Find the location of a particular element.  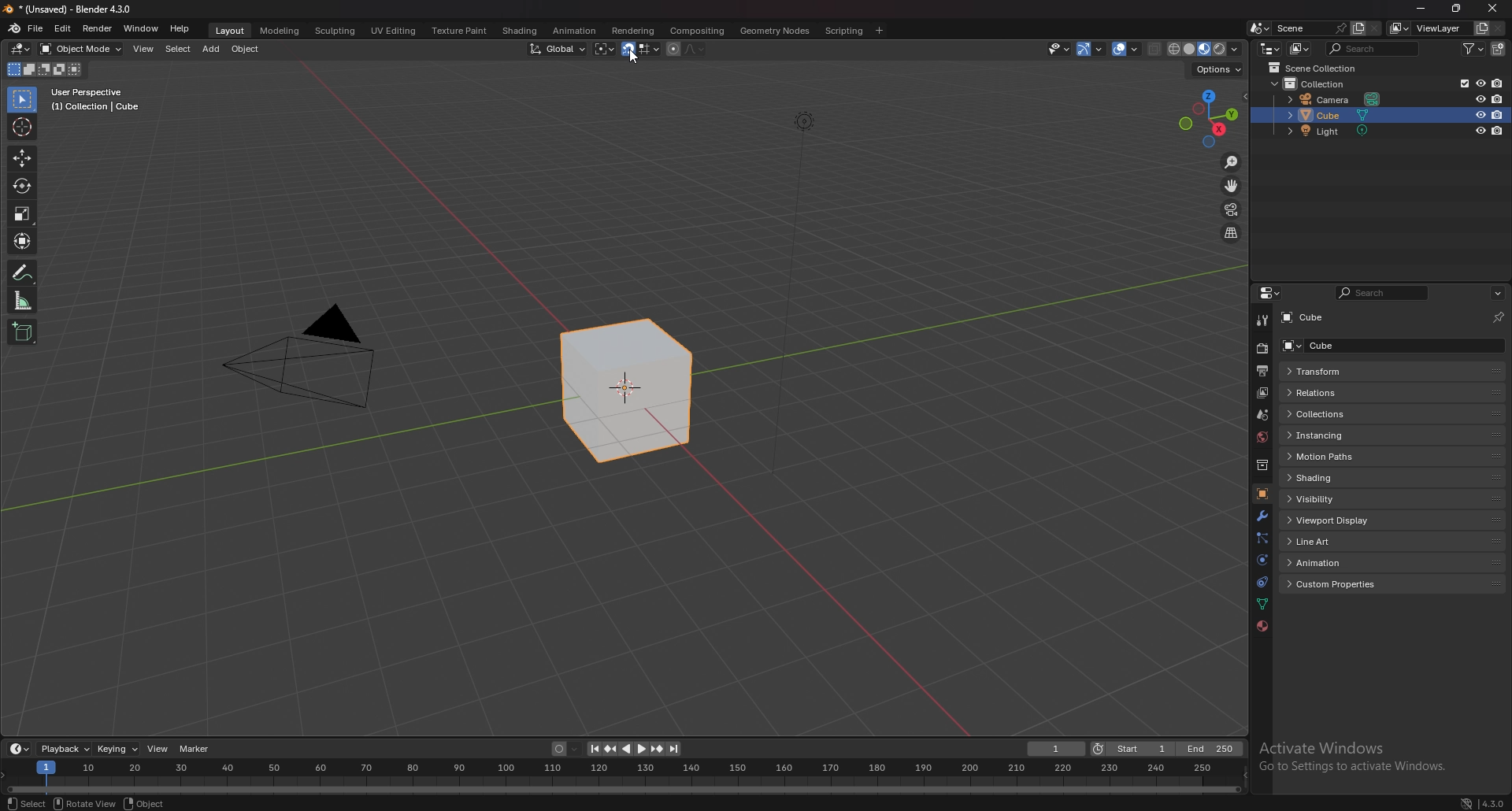

gizmo is located at coordinates (1092, 49).